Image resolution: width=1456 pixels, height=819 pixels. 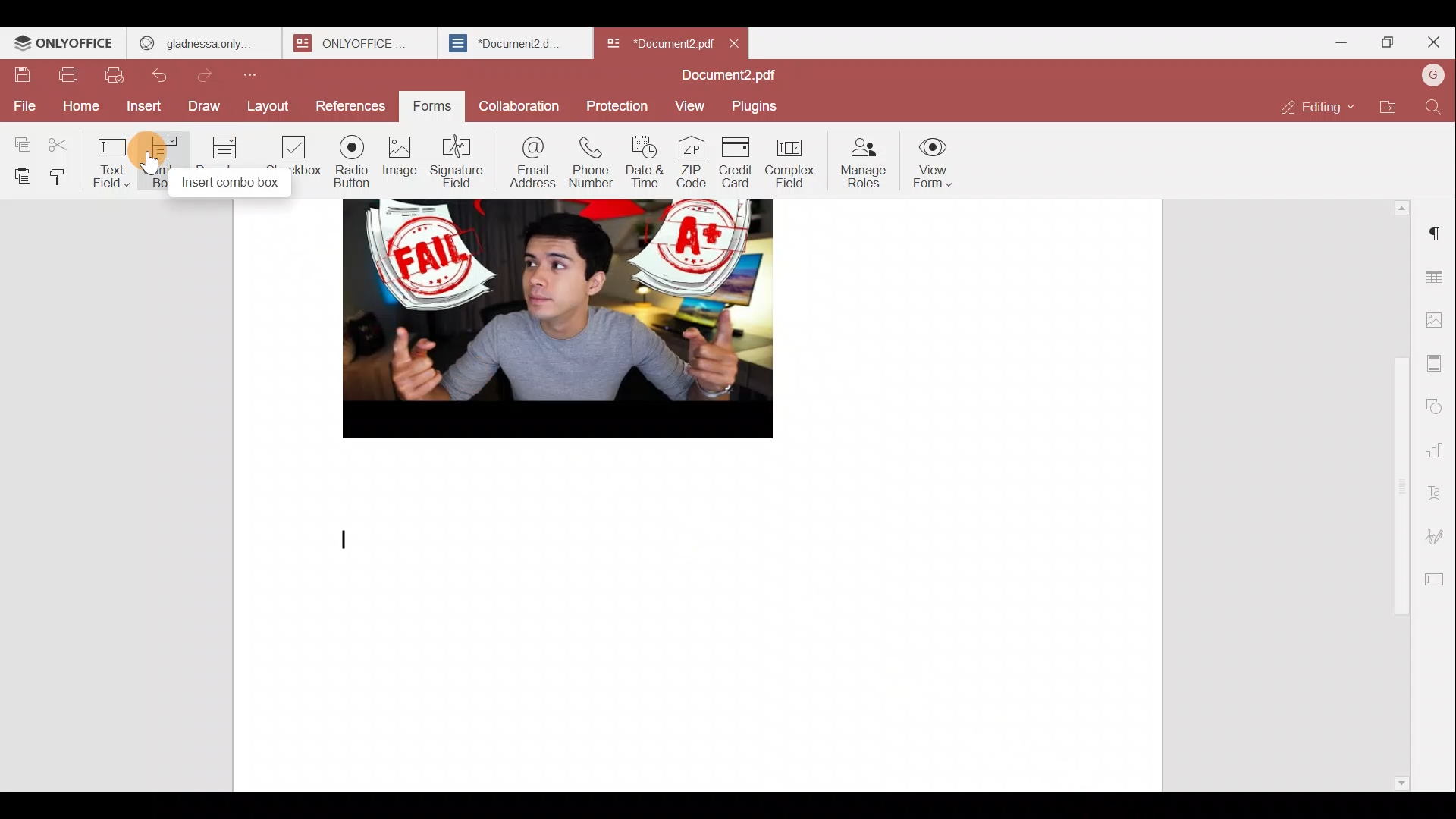 I want to click on ZIP code, so click(x=692, y=164).